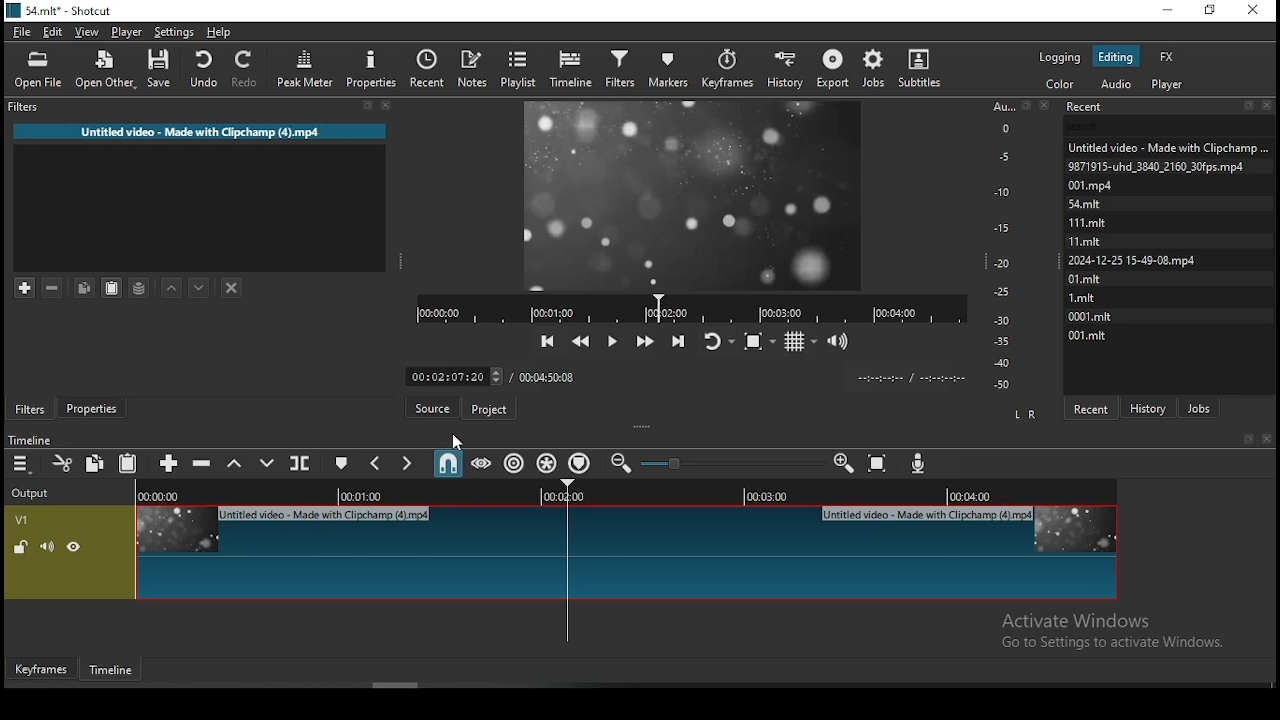 Image resolution: width=1280 pixels, height=720 pixels. What do you see at coordinates (23, 32) in the screenshot?
I see `file` at bounding box center [23, 32].